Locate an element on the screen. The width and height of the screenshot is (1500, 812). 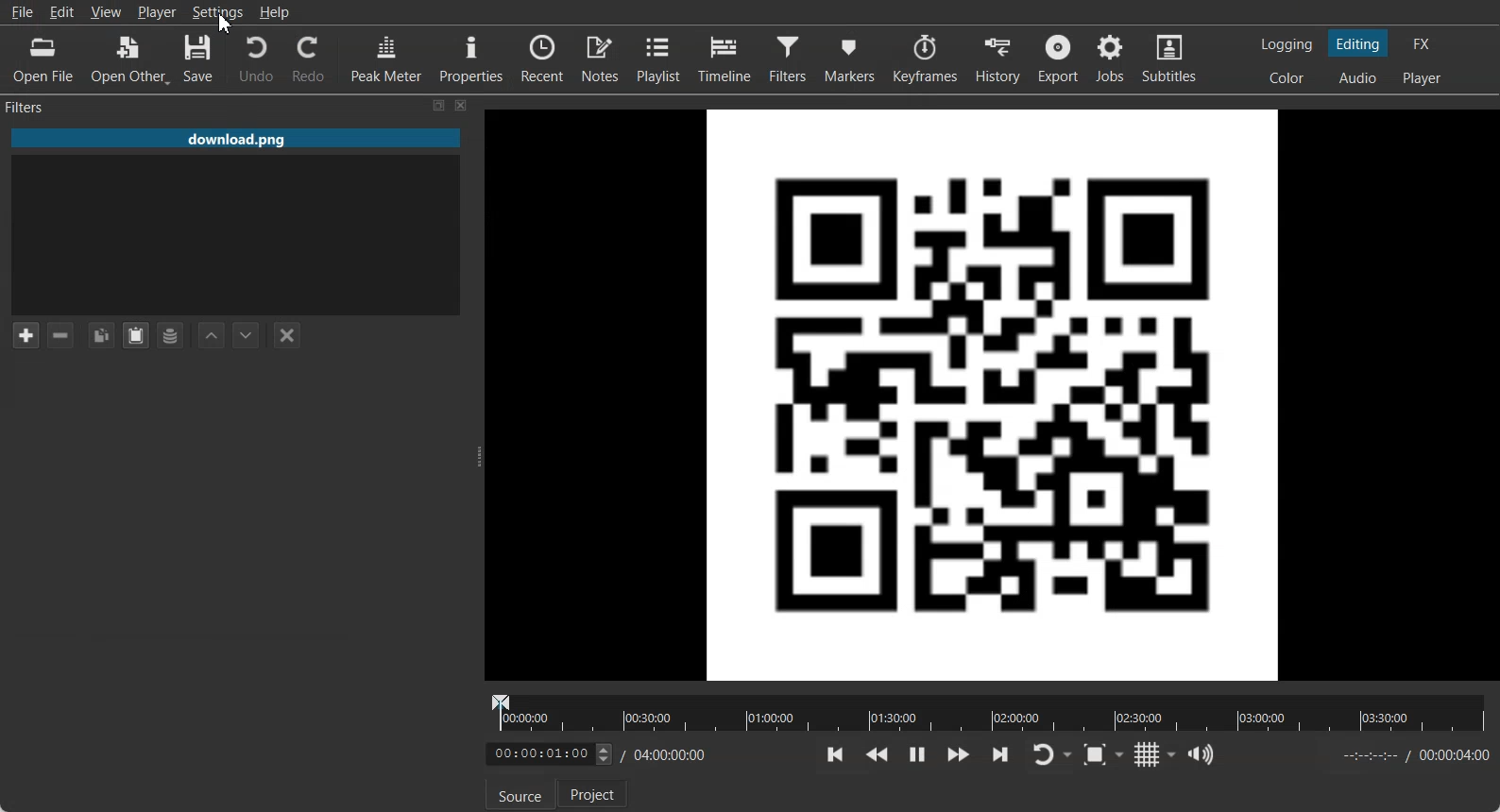
 is located at coordinates (169, 335).